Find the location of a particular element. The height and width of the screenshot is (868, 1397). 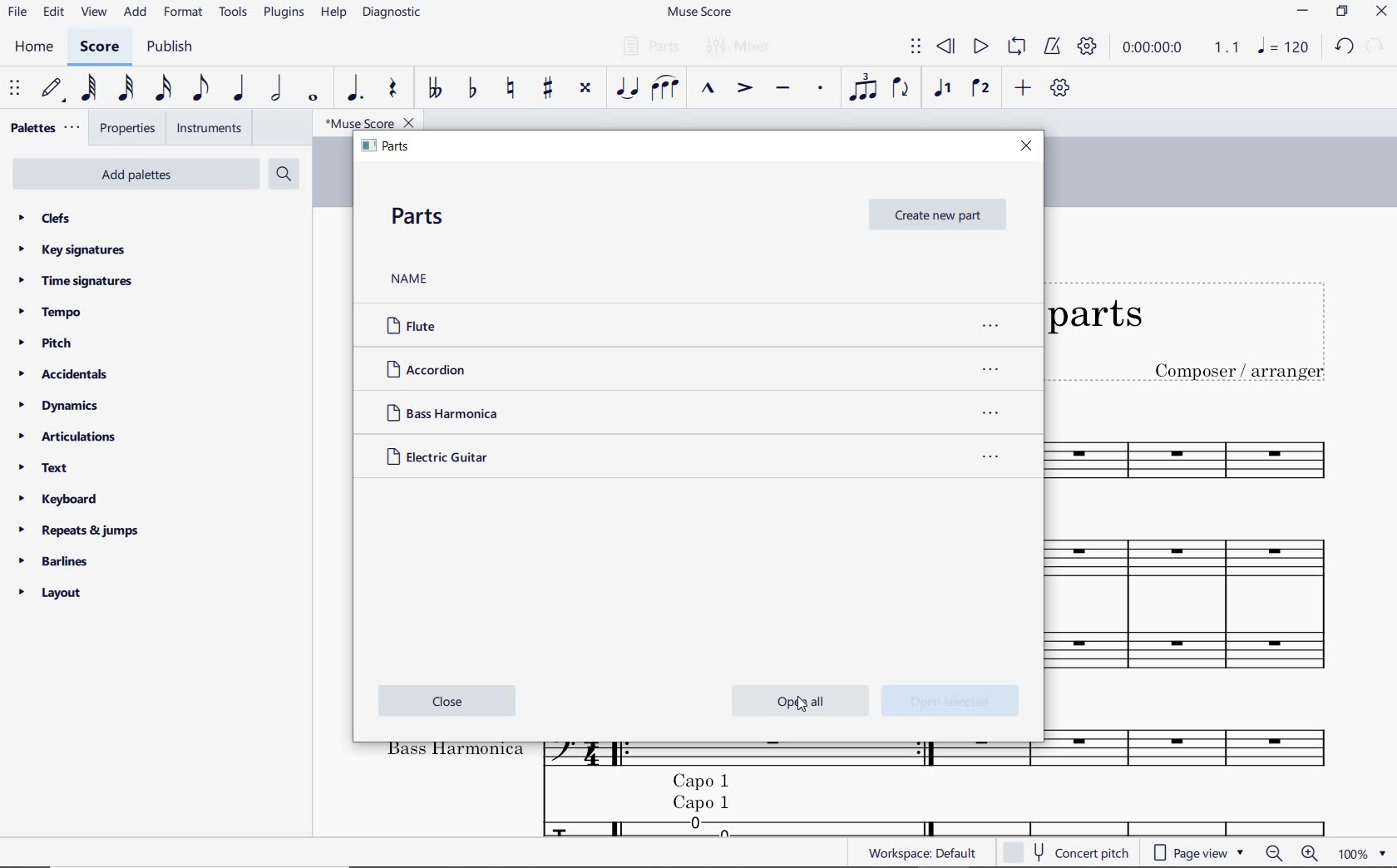

CREATE NEW PART is located at coordinates (939, 213).